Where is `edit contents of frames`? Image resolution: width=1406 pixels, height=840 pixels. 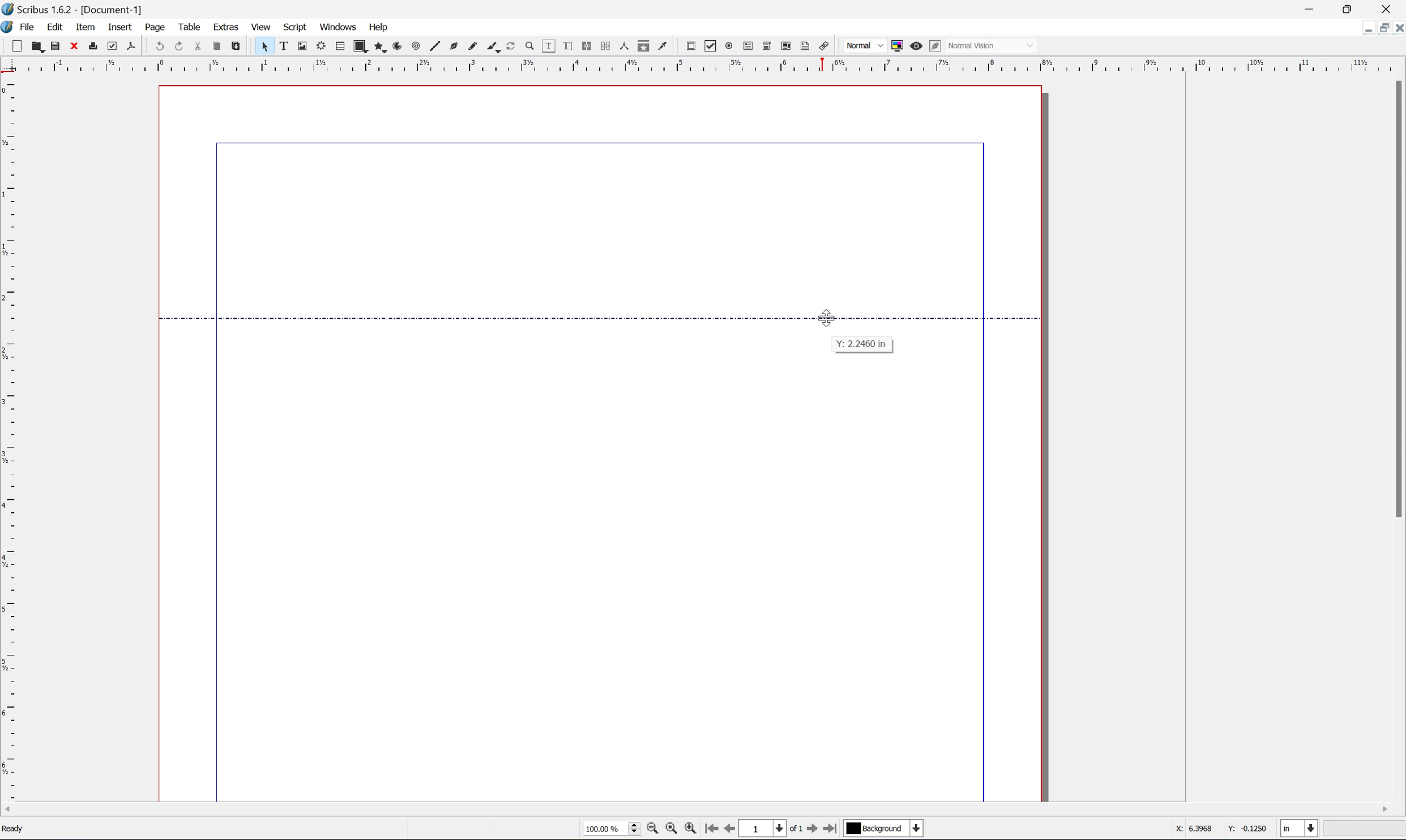 edit contents of frames is located at coordinates (550, 48).